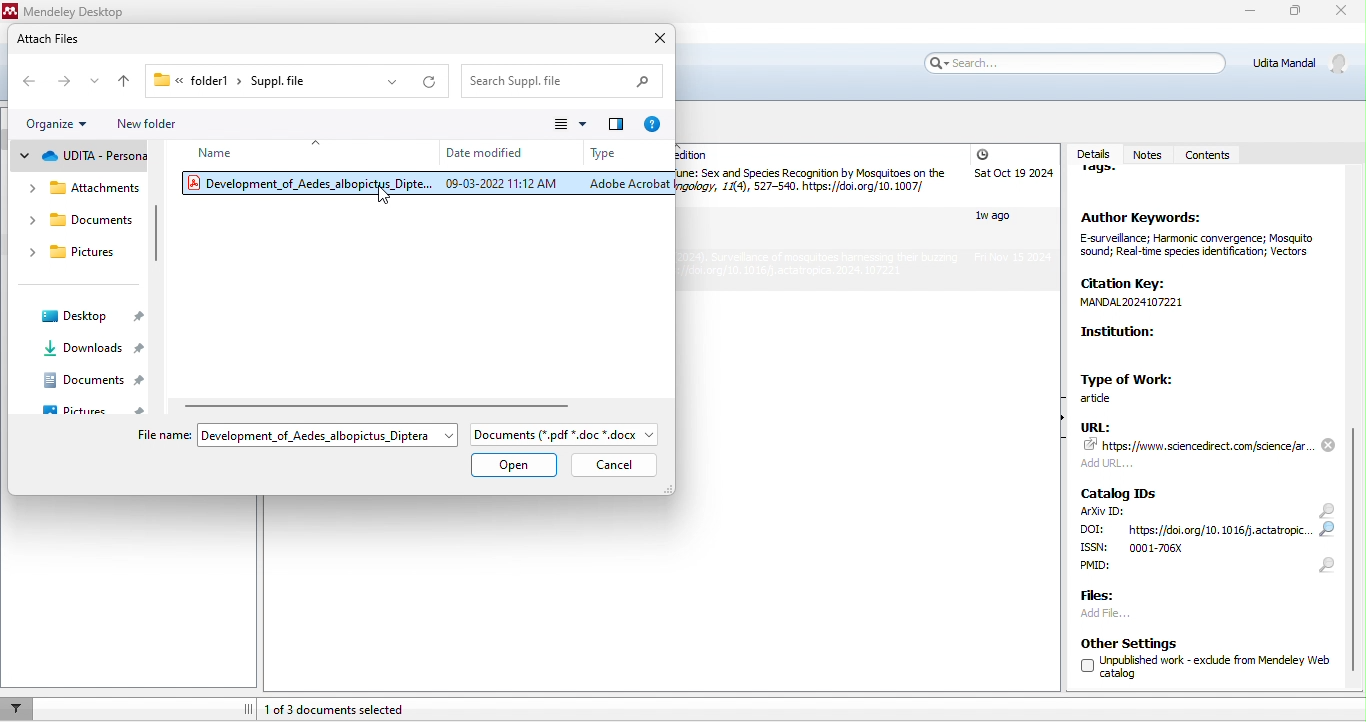 The image size is (1366, 722). What do you see at coordinates (78, 253) in the screenshot?
I see `pictures` at bounding box center [78, 253].